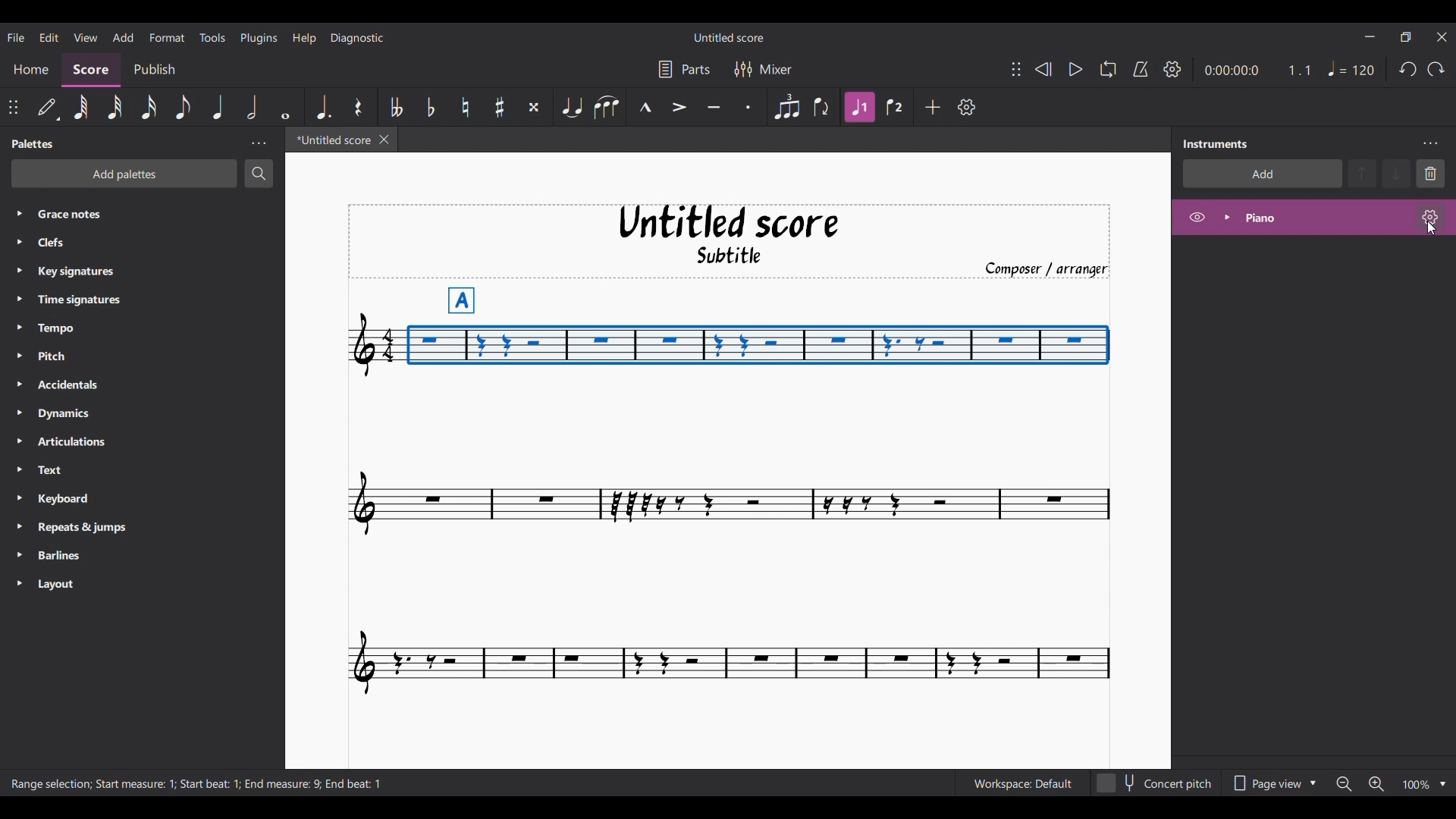 This screenshot has height=819, width=1456. Describe the element at coordinates (645, 106) in the screenshot. I see `Marcato` at that location.